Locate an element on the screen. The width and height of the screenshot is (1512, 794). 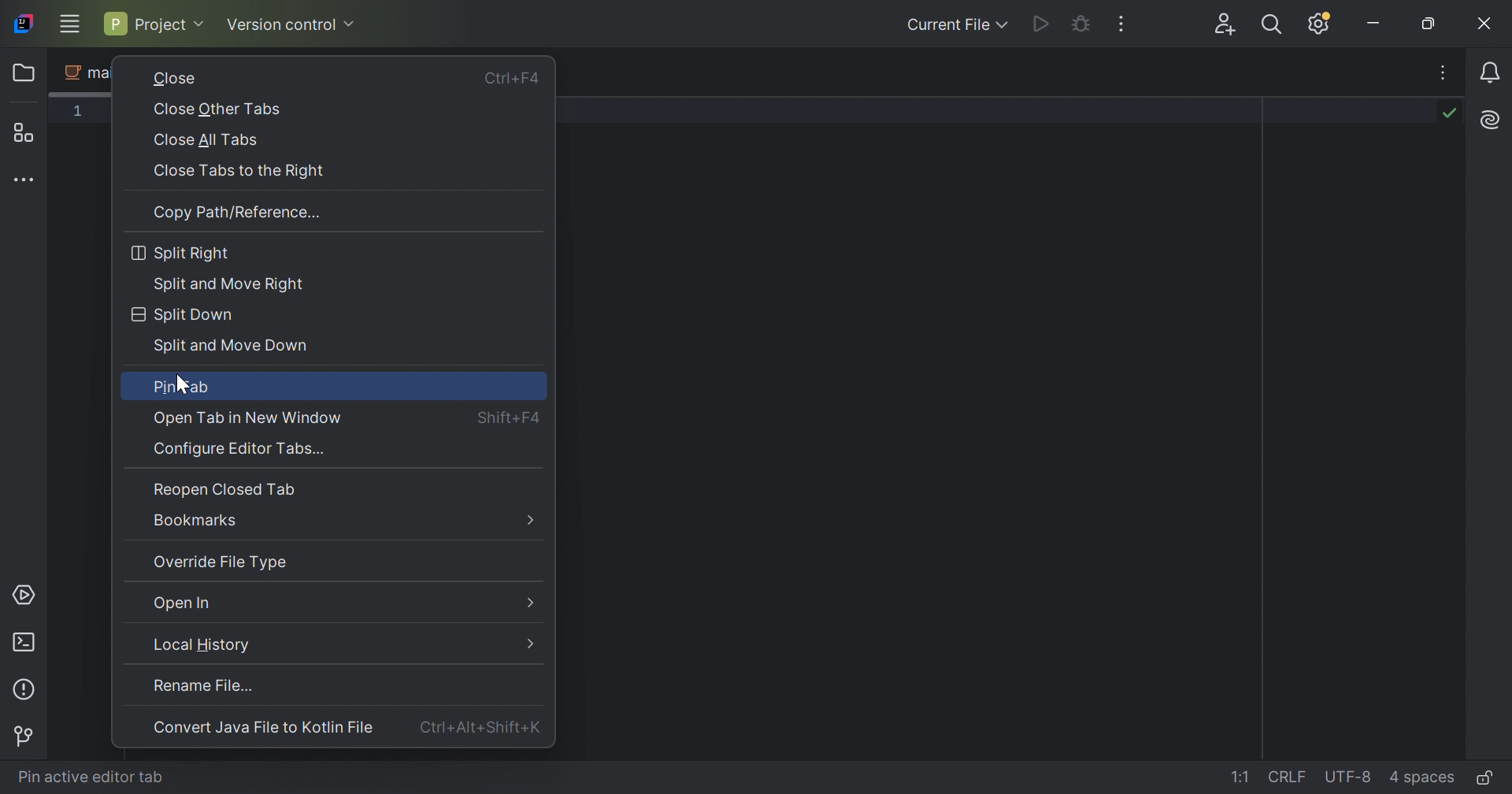
Project is located at coordinates (152, 23).